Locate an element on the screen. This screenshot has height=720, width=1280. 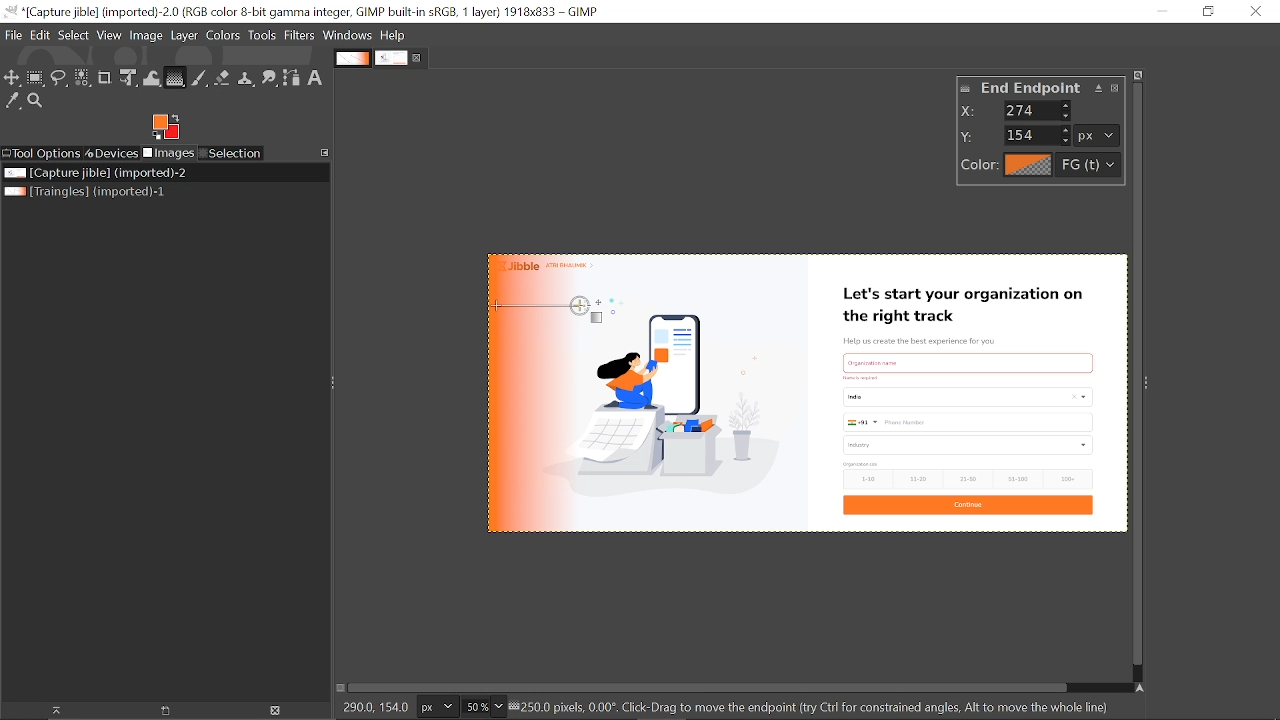
Unified transform tool is located at coordinates (130, 78).